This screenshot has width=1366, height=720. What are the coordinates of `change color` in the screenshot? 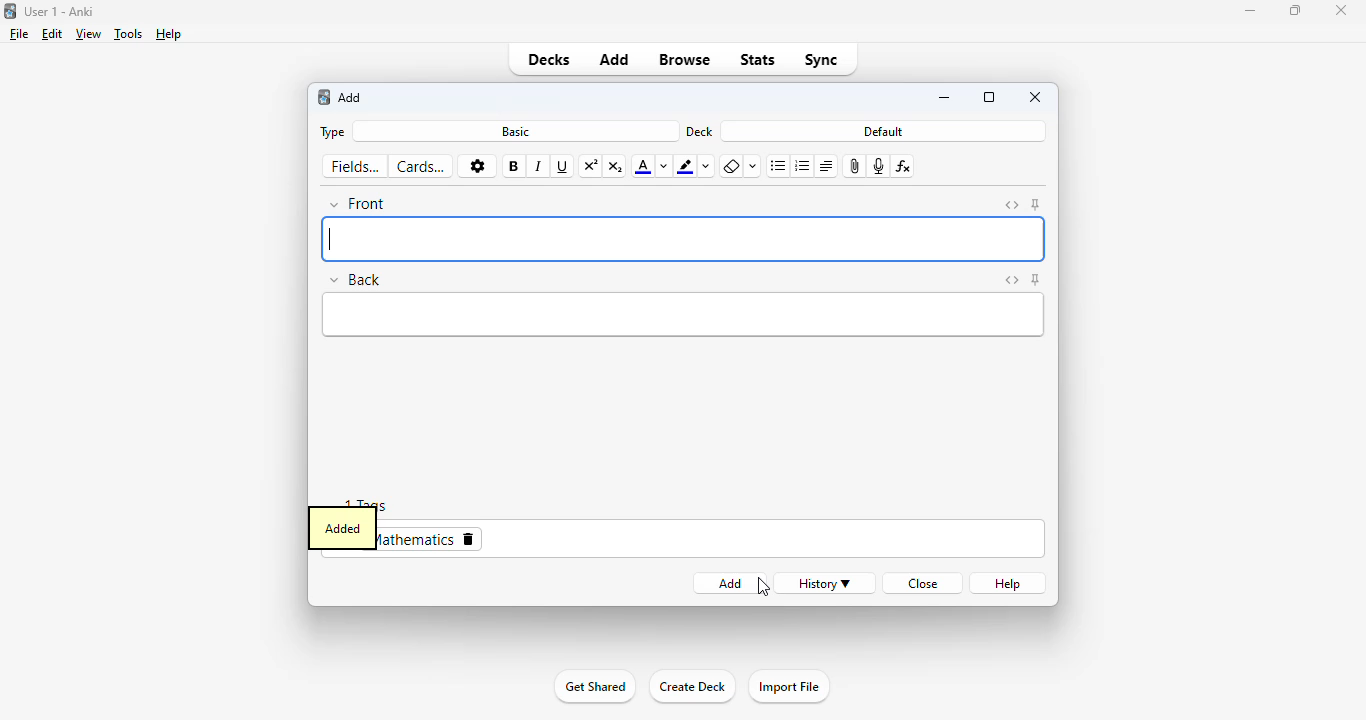 It's located at (709, 167).